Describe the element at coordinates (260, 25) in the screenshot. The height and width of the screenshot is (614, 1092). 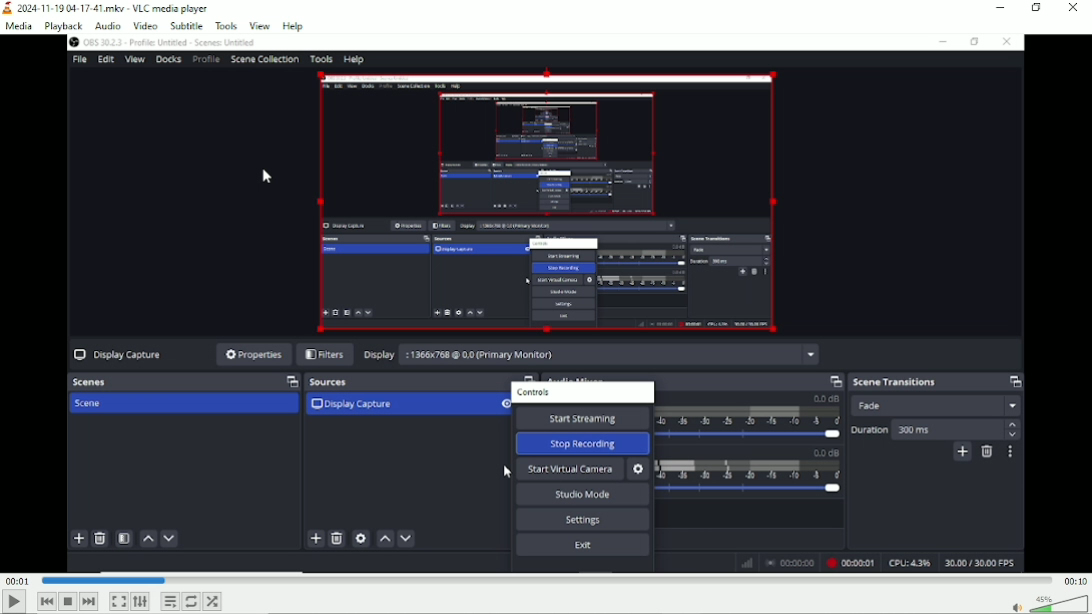
I see `view` at that location.